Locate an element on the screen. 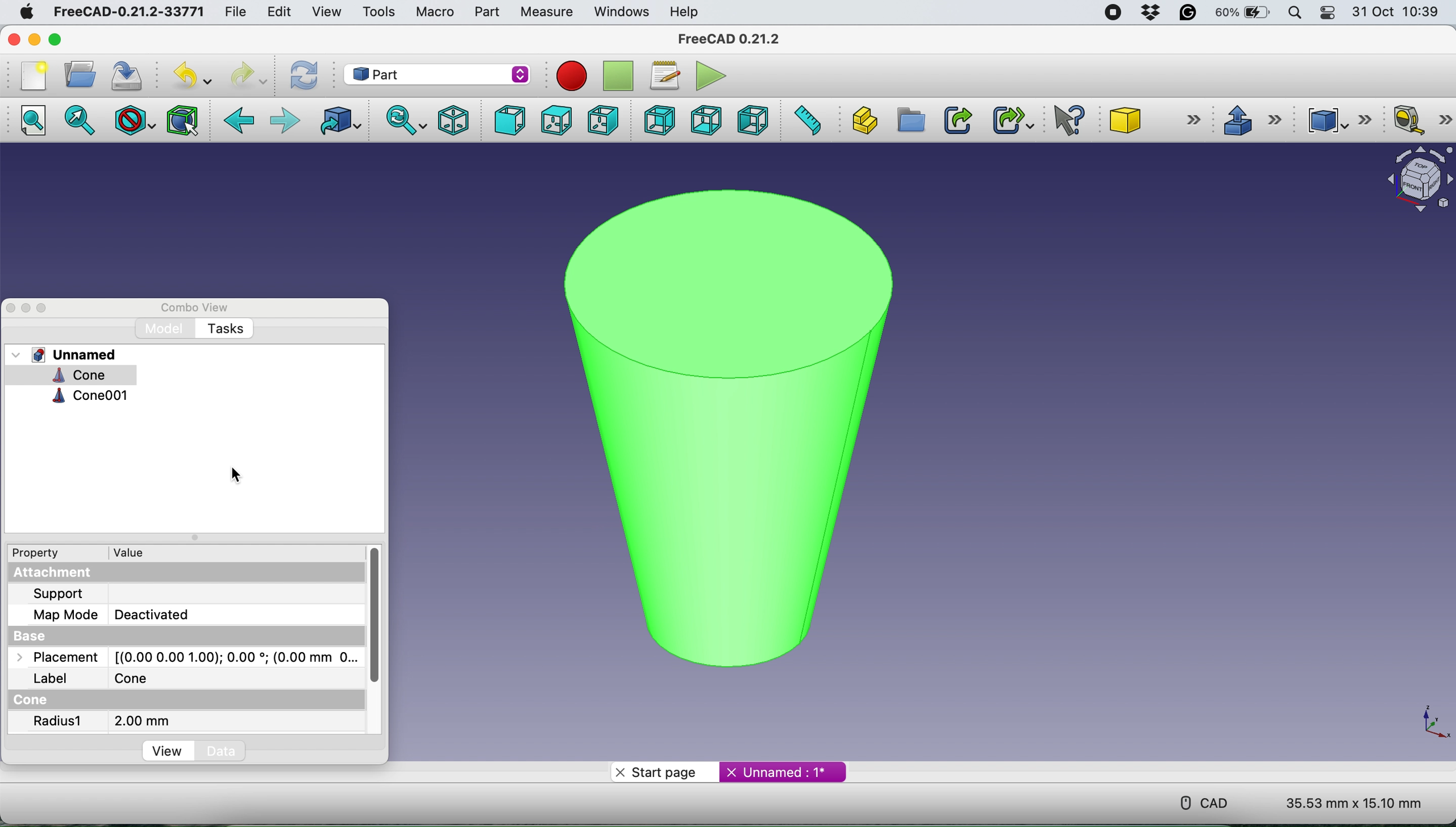  rear is located at coordinates (658, 122).